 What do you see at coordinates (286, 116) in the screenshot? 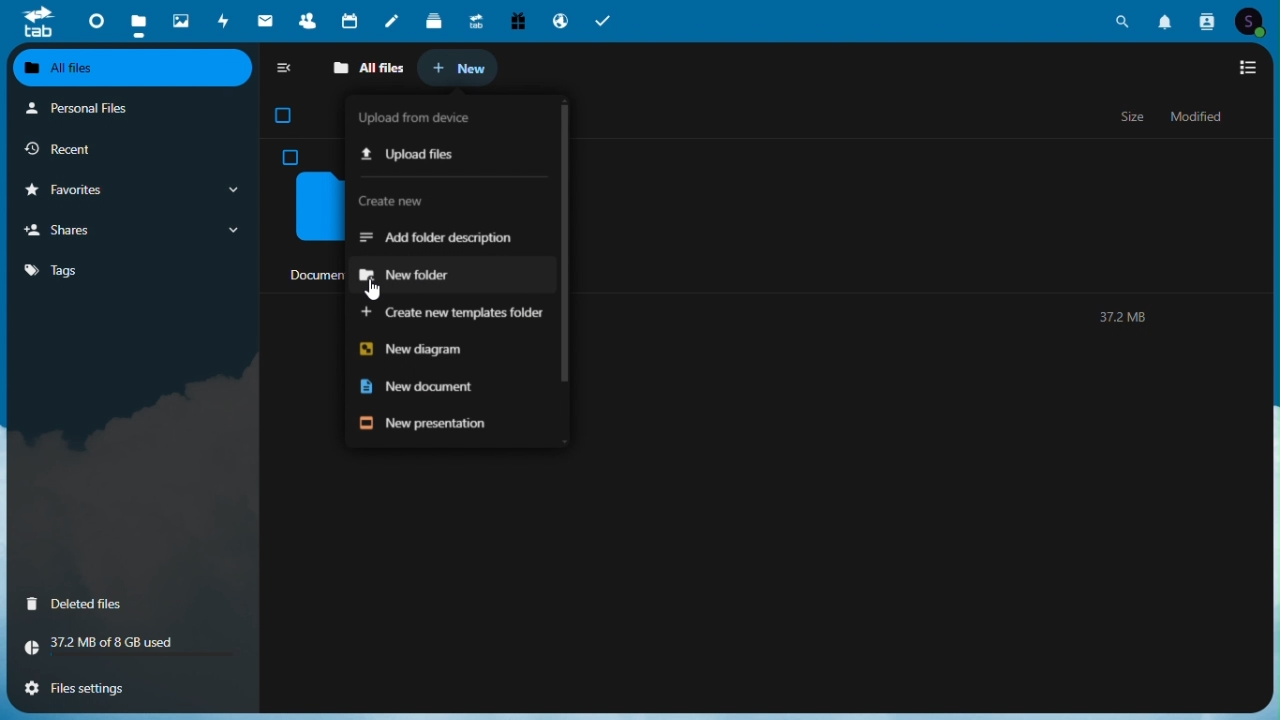
I see `checkbox` at bounding box center [286, 116].